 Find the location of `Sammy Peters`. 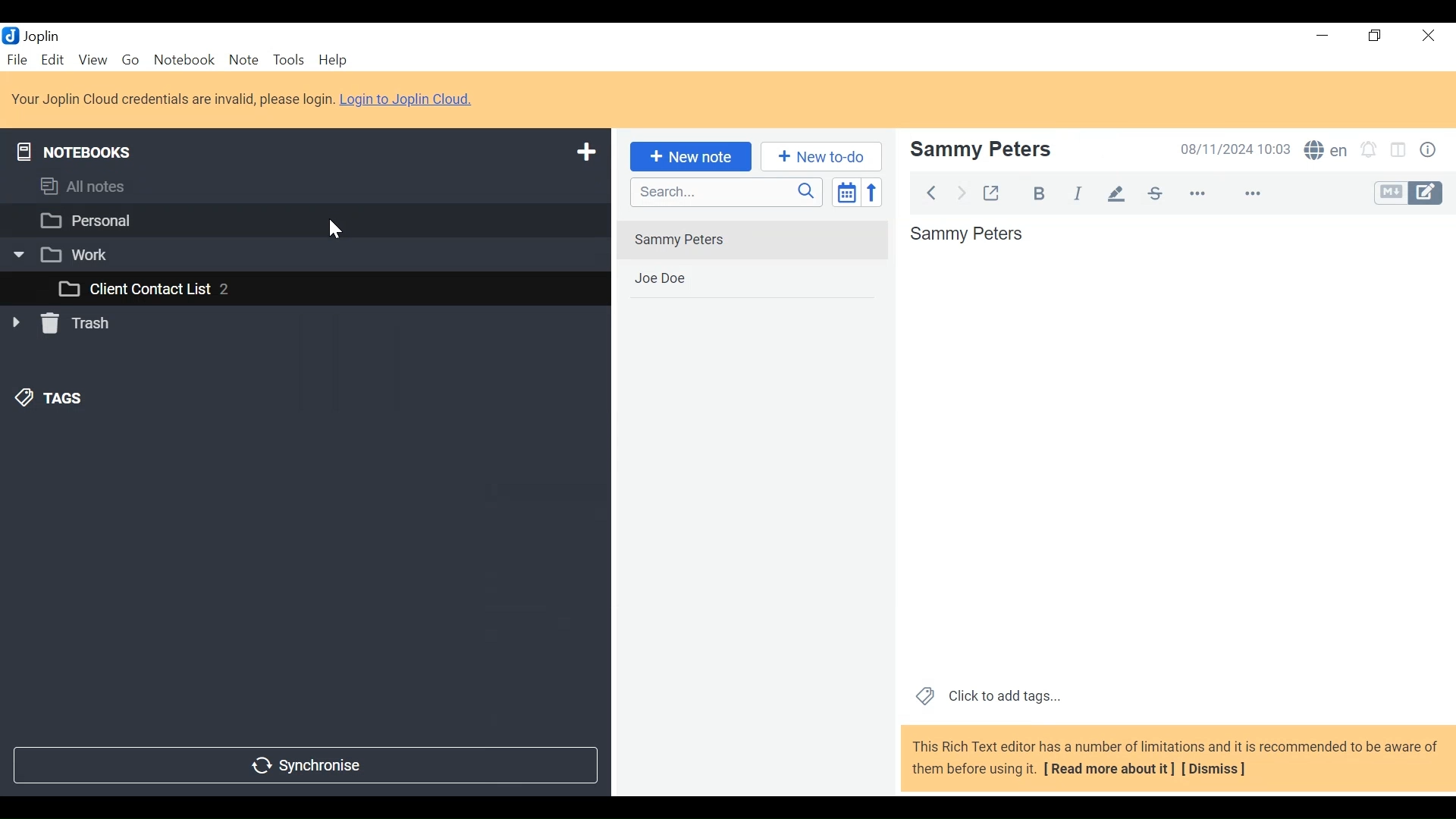

Sammy Peters is located at coordinates (980, 150).